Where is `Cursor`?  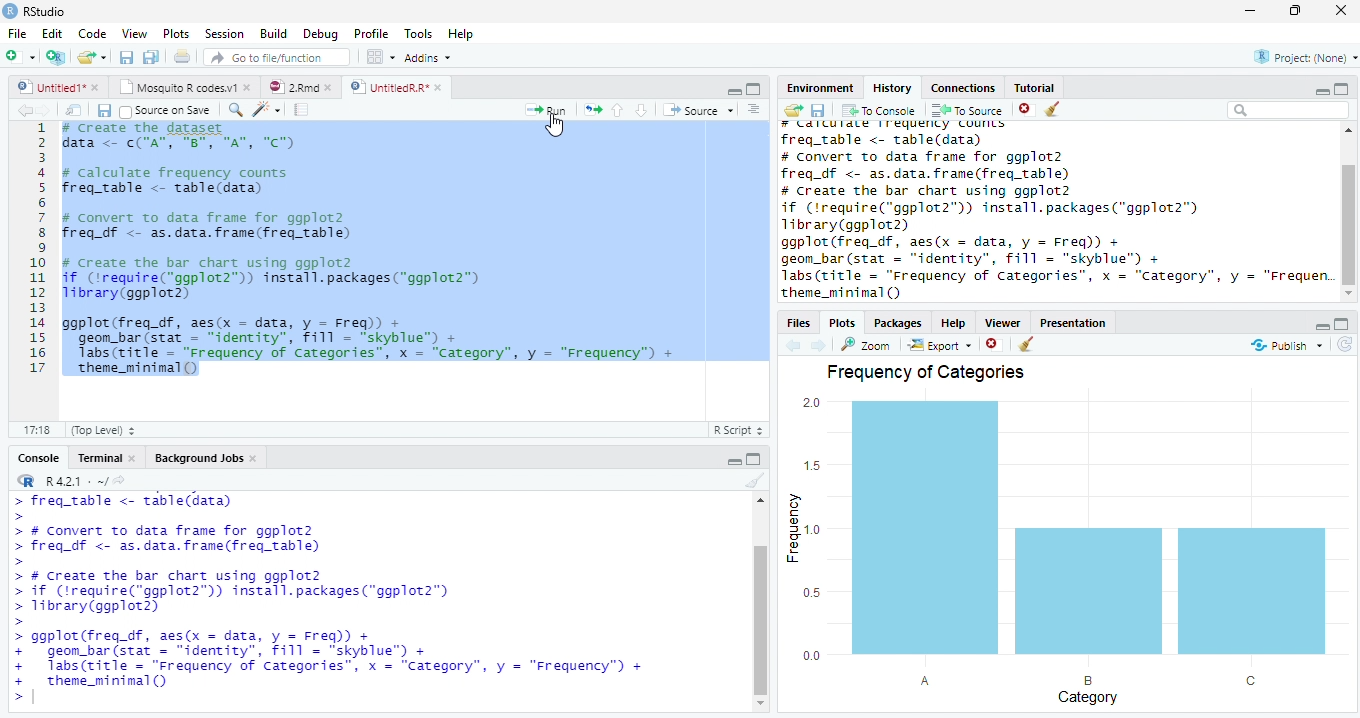 Cursor is located at coordinates (556, 127).